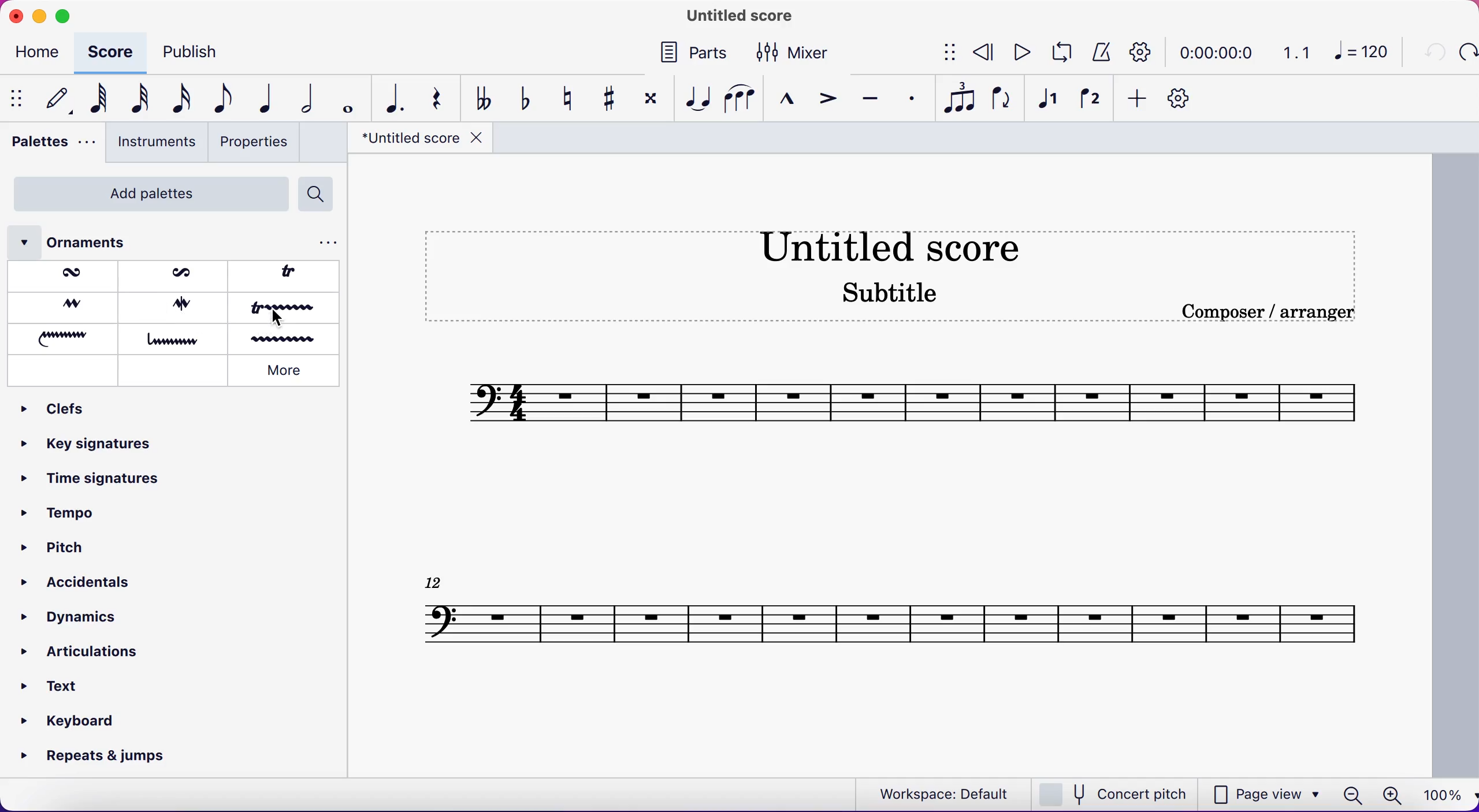 Image resolution: width=1479 pixels, height=812 pixels. Describe the element at coordinates (93, 243) in the screenshot. I see `ornaments` at that location.